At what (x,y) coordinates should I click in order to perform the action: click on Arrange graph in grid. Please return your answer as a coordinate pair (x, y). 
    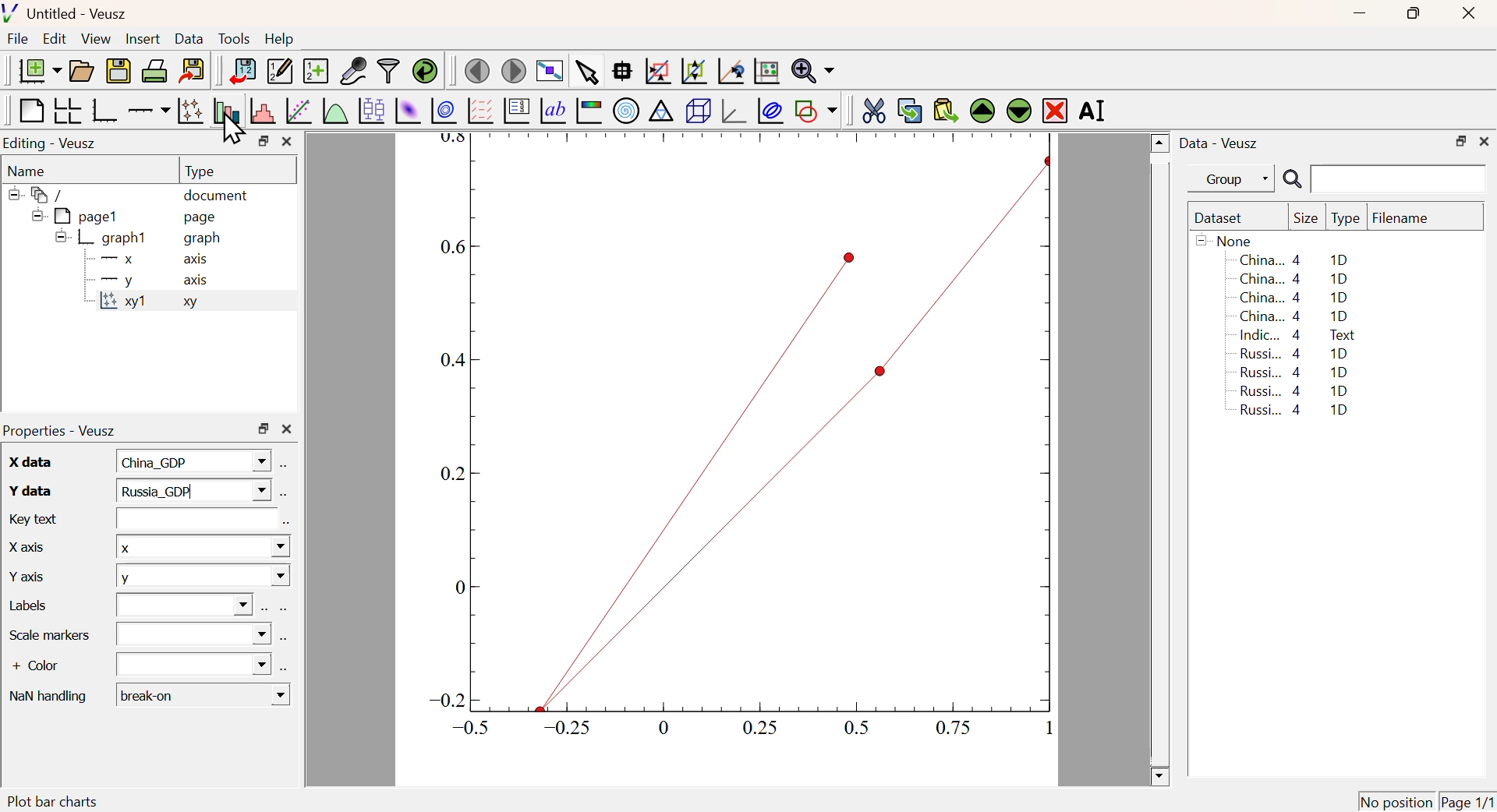
    Looking at the image, I should click on (66, 110).